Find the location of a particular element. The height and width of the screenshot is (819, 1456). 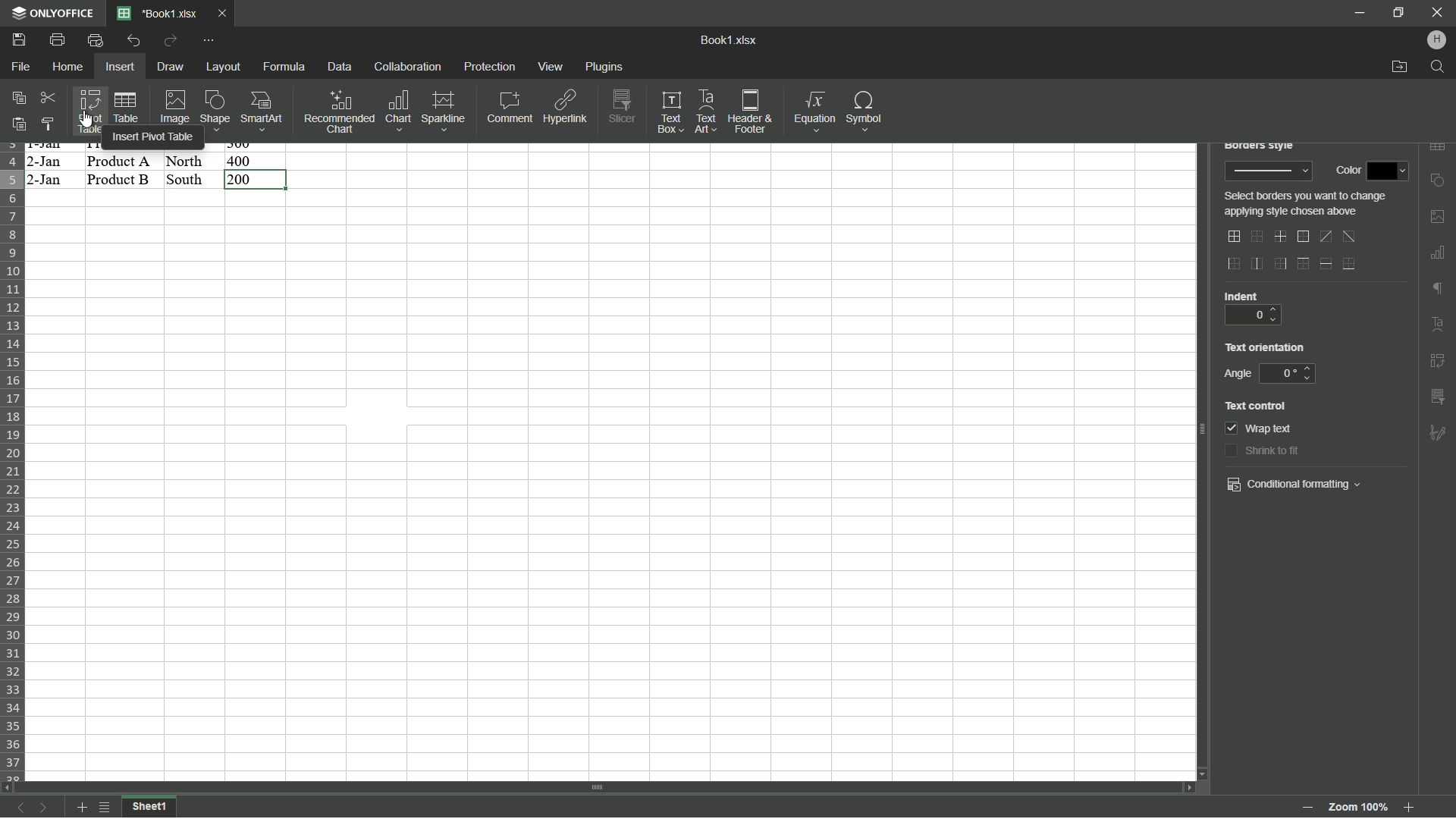

zoom 100% is located at coordinates (1357, 803).